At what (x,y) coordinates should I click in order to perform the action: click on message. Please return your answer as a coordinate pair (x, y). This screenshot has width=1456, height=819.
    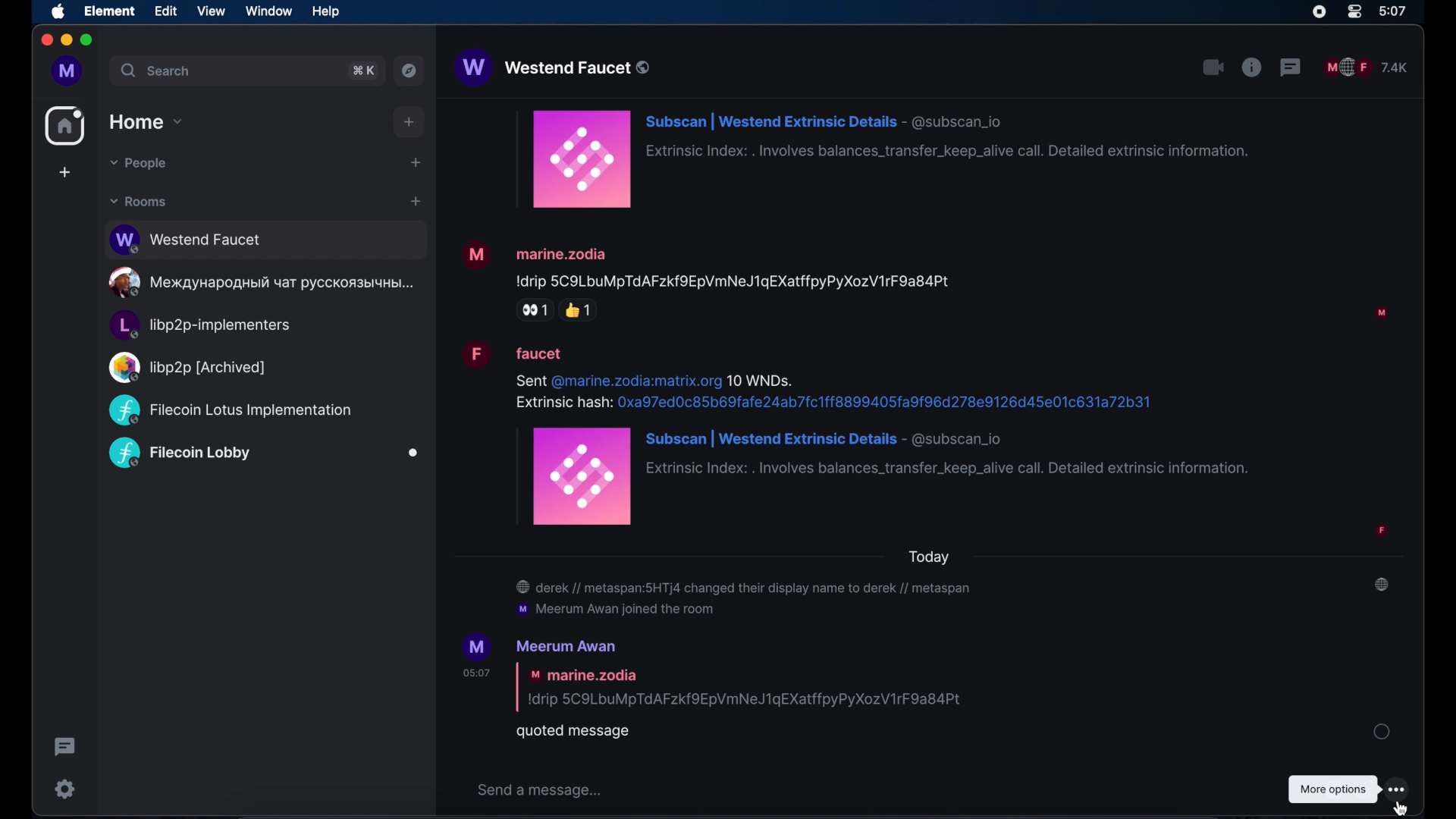
    Looking at the image, I should click on (886, 160).